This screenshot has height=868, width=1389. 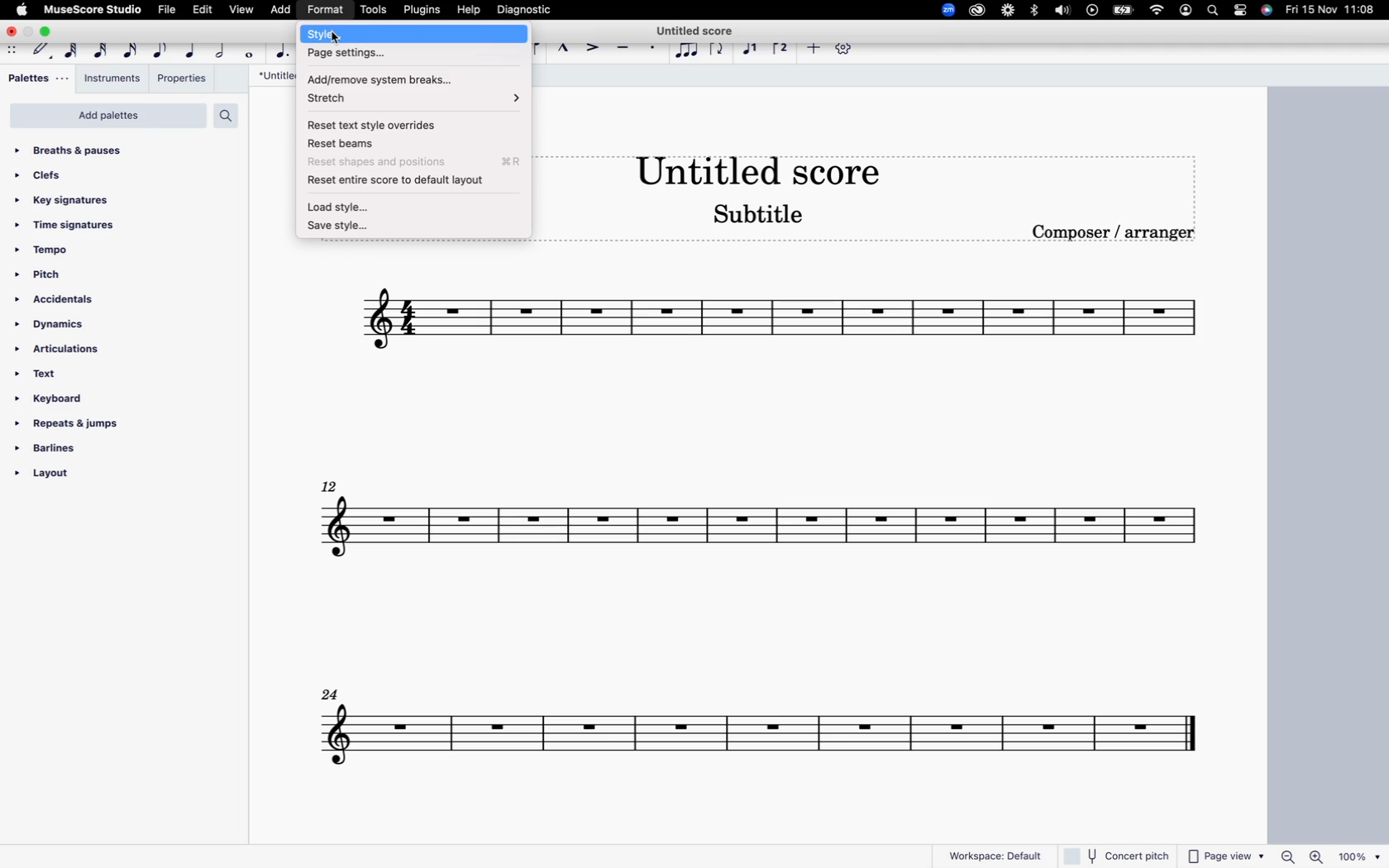 I want to click on reset text style overrides, so click(x=375, y=126).